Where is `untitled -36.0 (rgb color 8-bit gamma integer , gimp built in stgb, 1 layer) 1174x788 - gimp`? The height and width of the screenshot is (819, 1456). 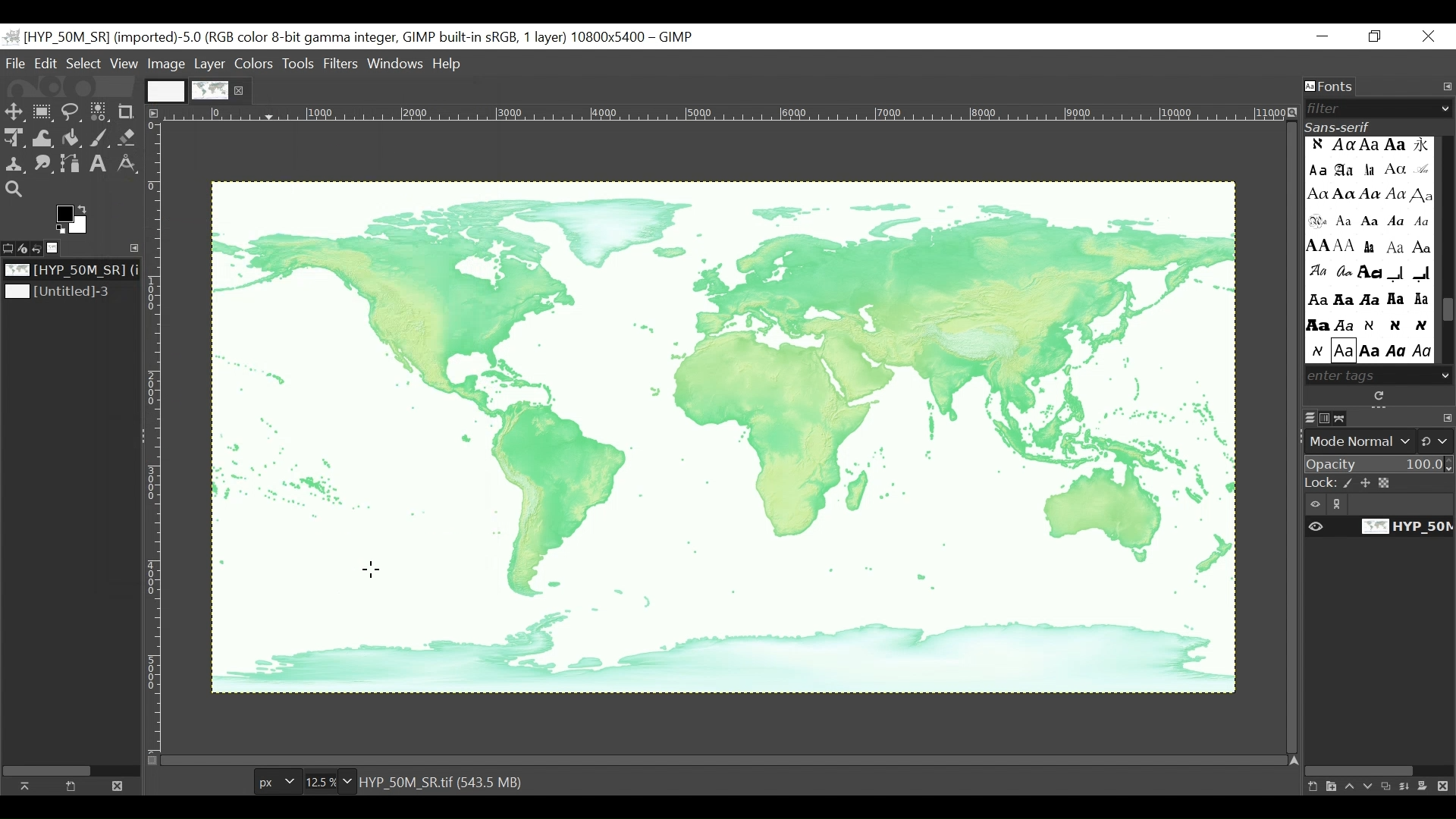
untitled -36.0 (rgb color 8-bit gamma integer , gimp built in stgb, 1 layer) 1174x788 - gimp is located at coordinates (350, 36).